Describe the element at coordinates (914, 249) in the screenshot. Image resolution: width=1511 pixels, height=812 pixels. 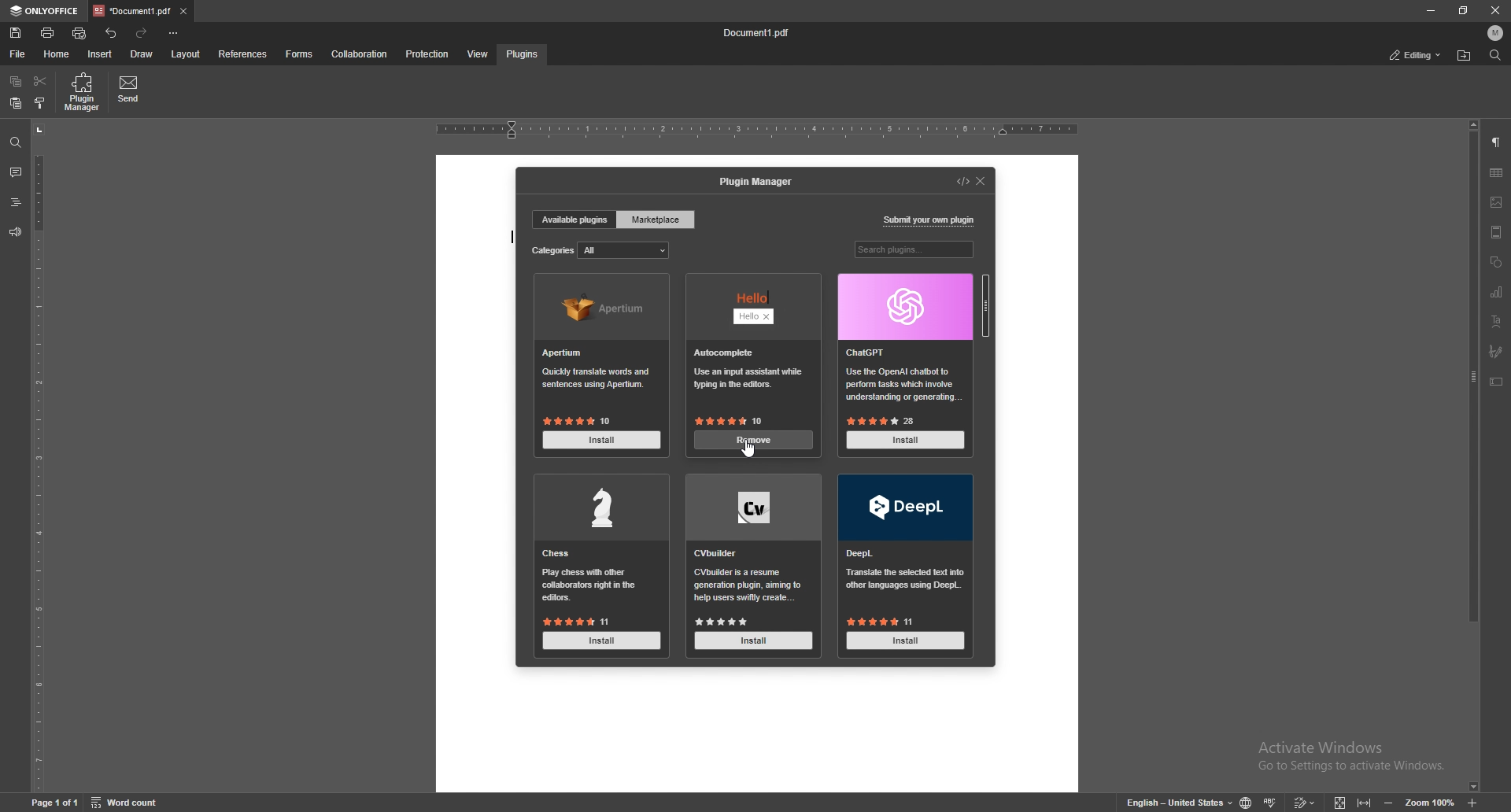
I see `search plugins` at that location.